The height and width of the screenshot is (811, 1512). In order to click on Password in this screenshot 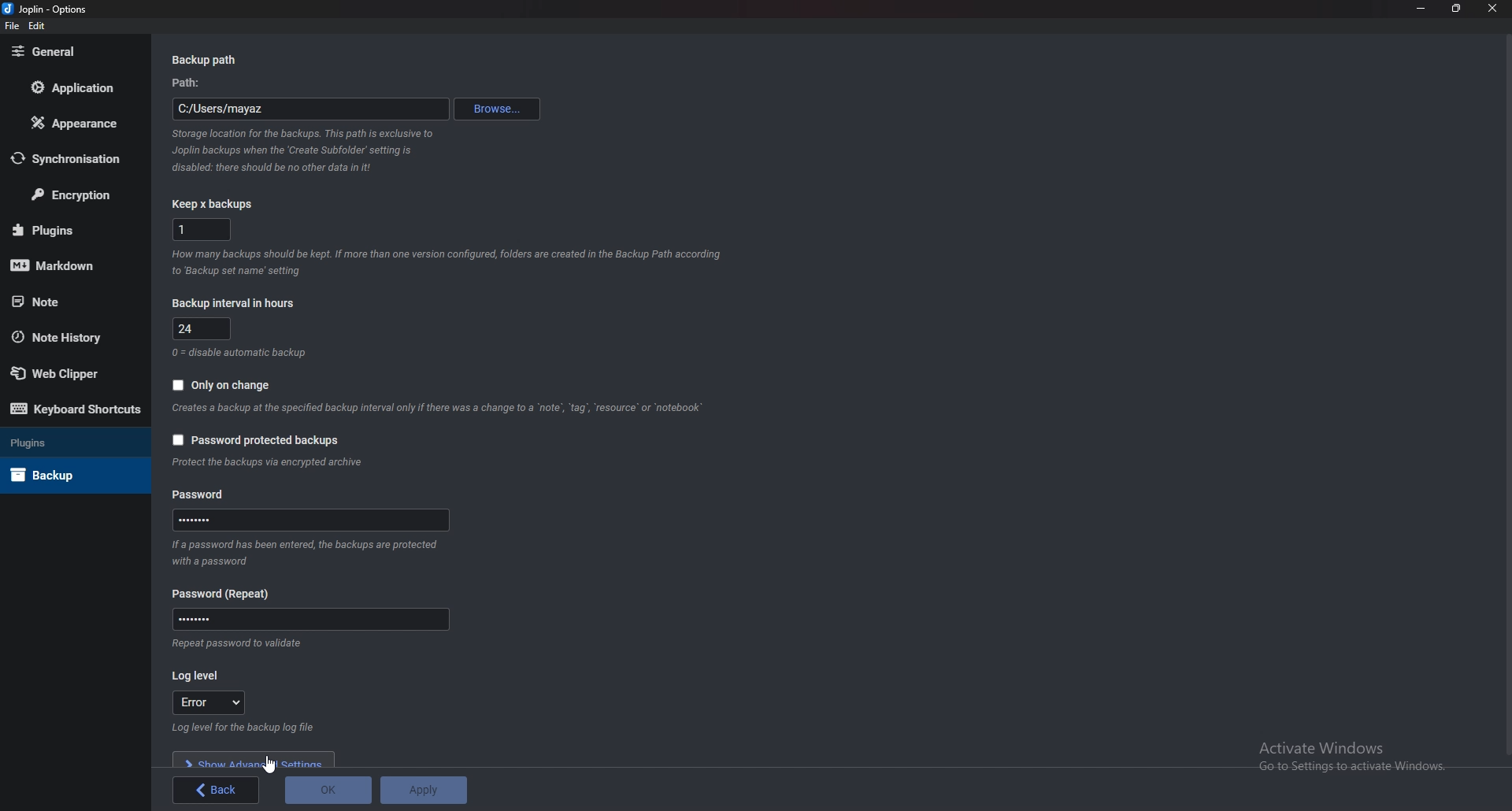, I will do `click(315, 520)`.